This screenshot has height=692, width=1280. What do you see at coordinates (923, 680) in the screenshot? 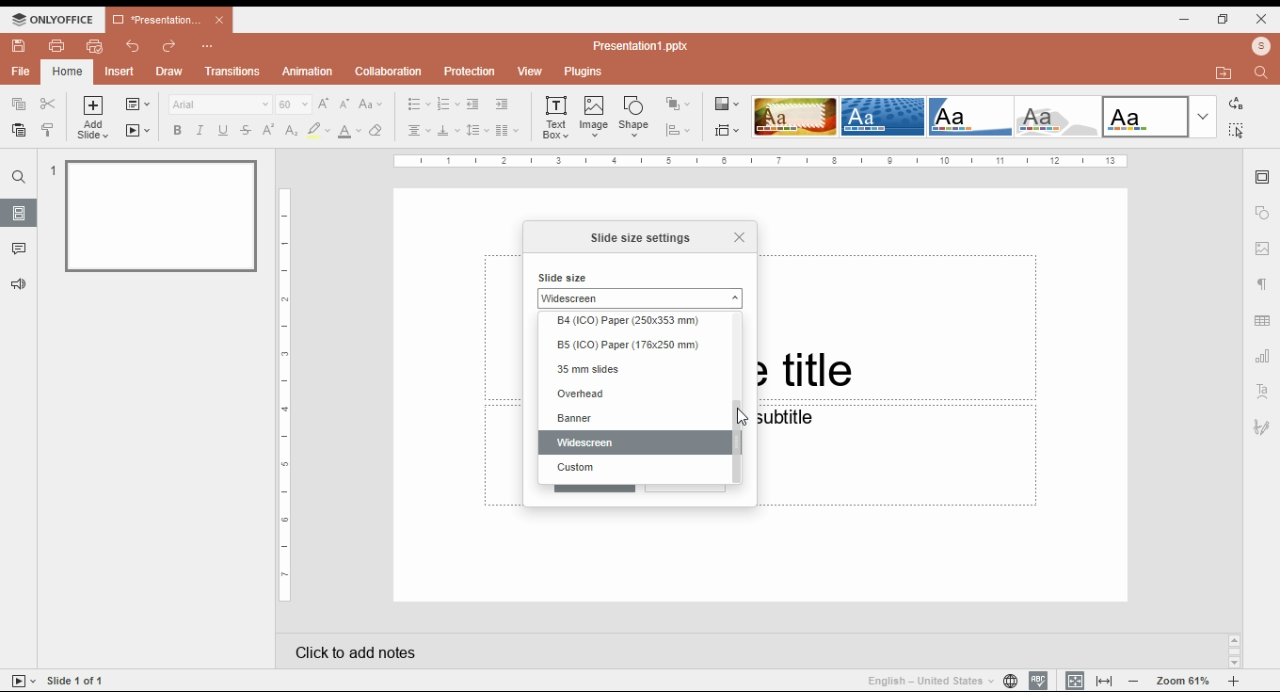
I see `English - United States` at bounding box center [923, 680].